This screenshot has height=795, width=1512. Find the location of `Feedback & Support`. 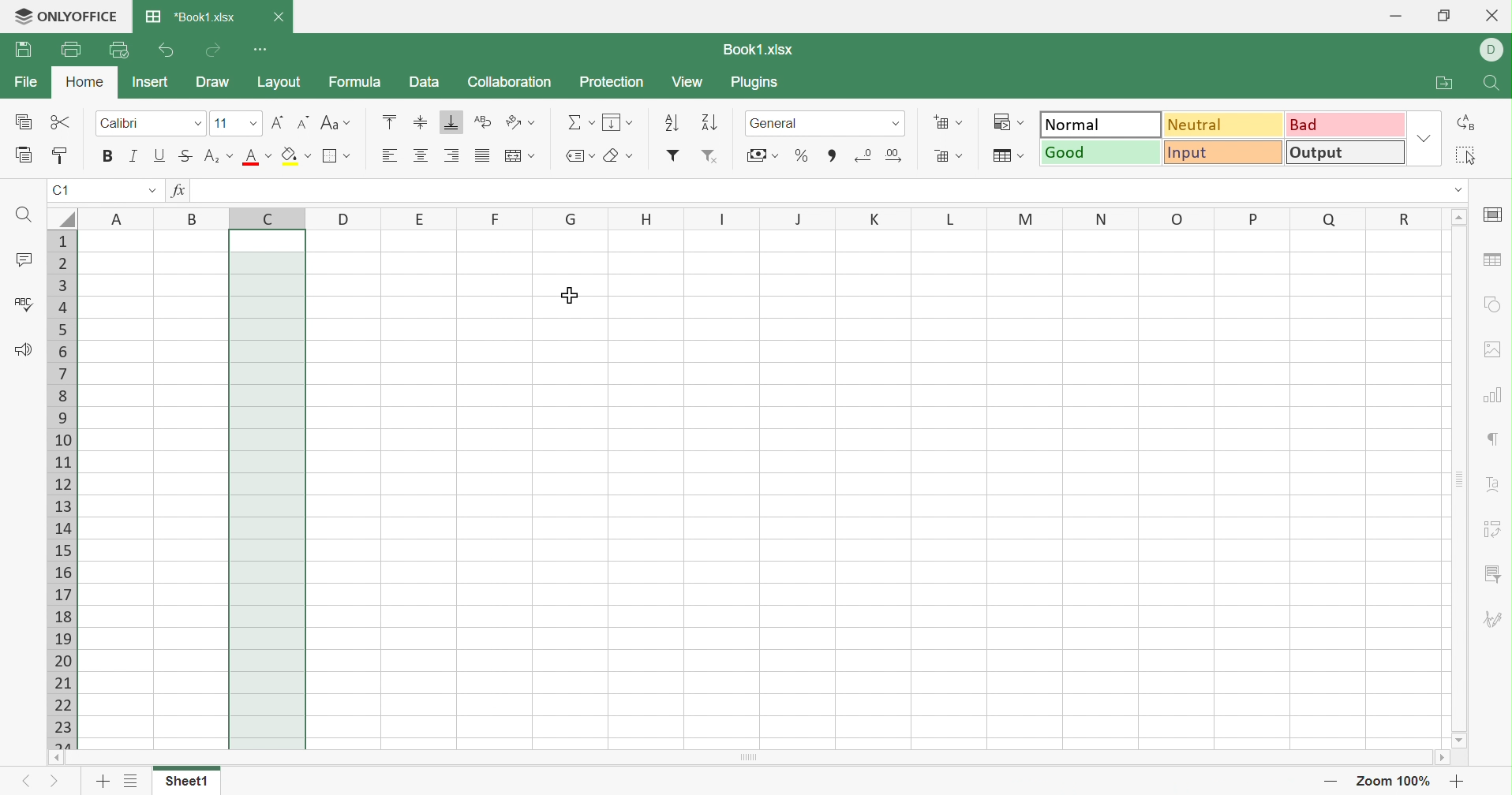

Feedback & Support is located at coordinates (25, 349).